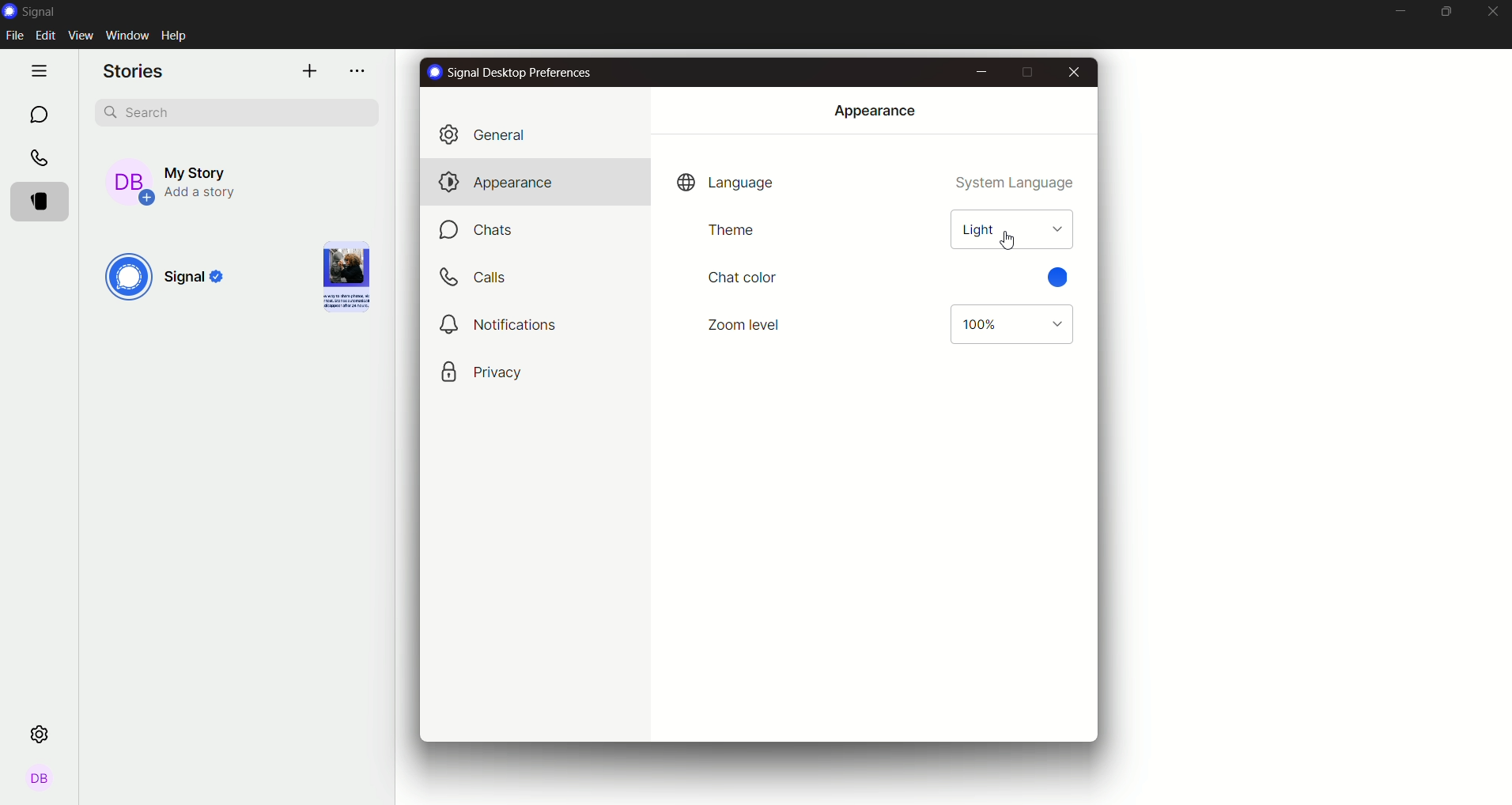 The height and width of the screenshot is (805, 1512). I want to click on notifications, so click(501, 324).